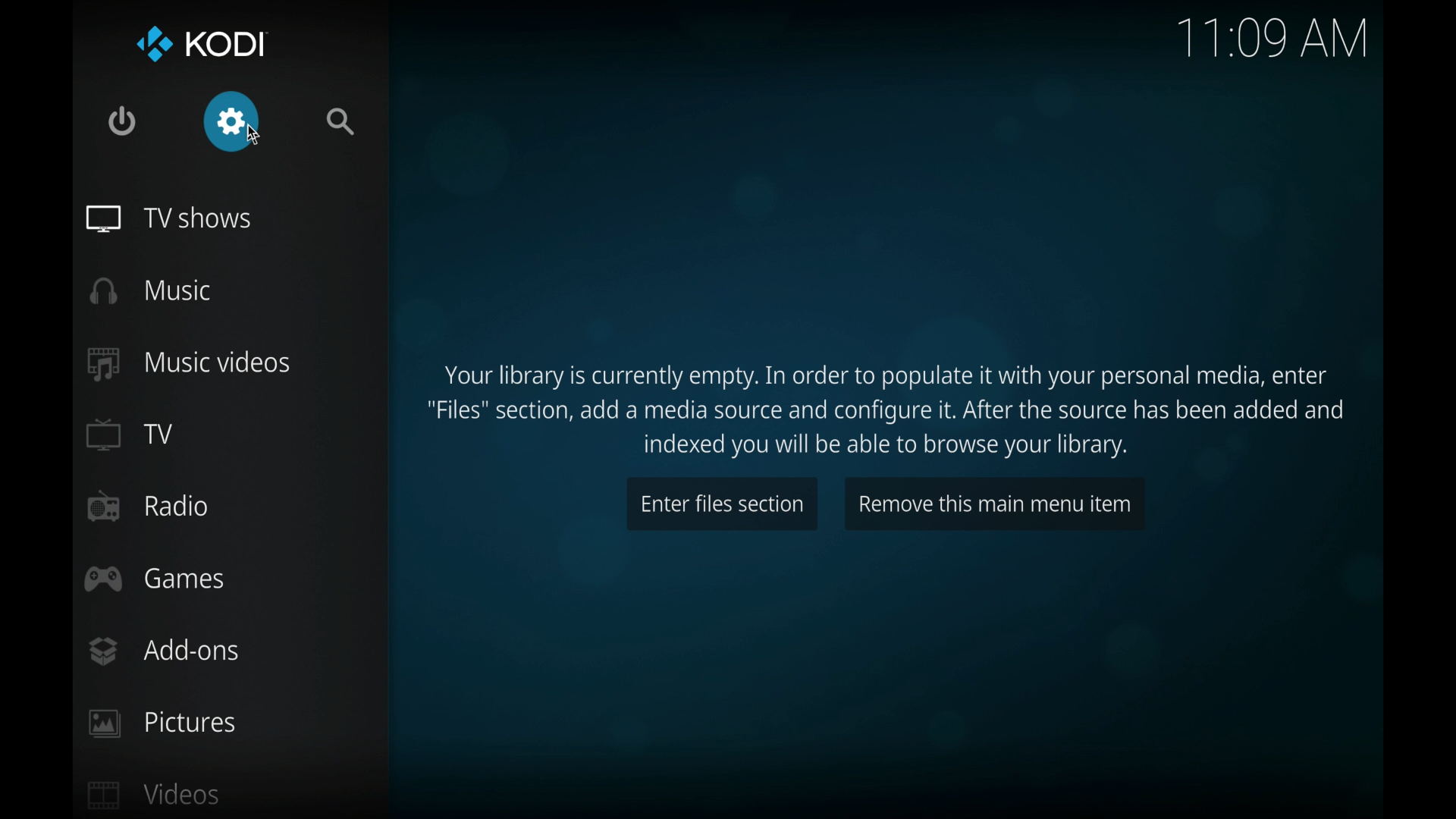 The width and height of the screenshot is (1456, 819). What do you see at coordinates (996, 505) in the screenshot?
I see `remove this main menu item` at bounding box center [996, 505].